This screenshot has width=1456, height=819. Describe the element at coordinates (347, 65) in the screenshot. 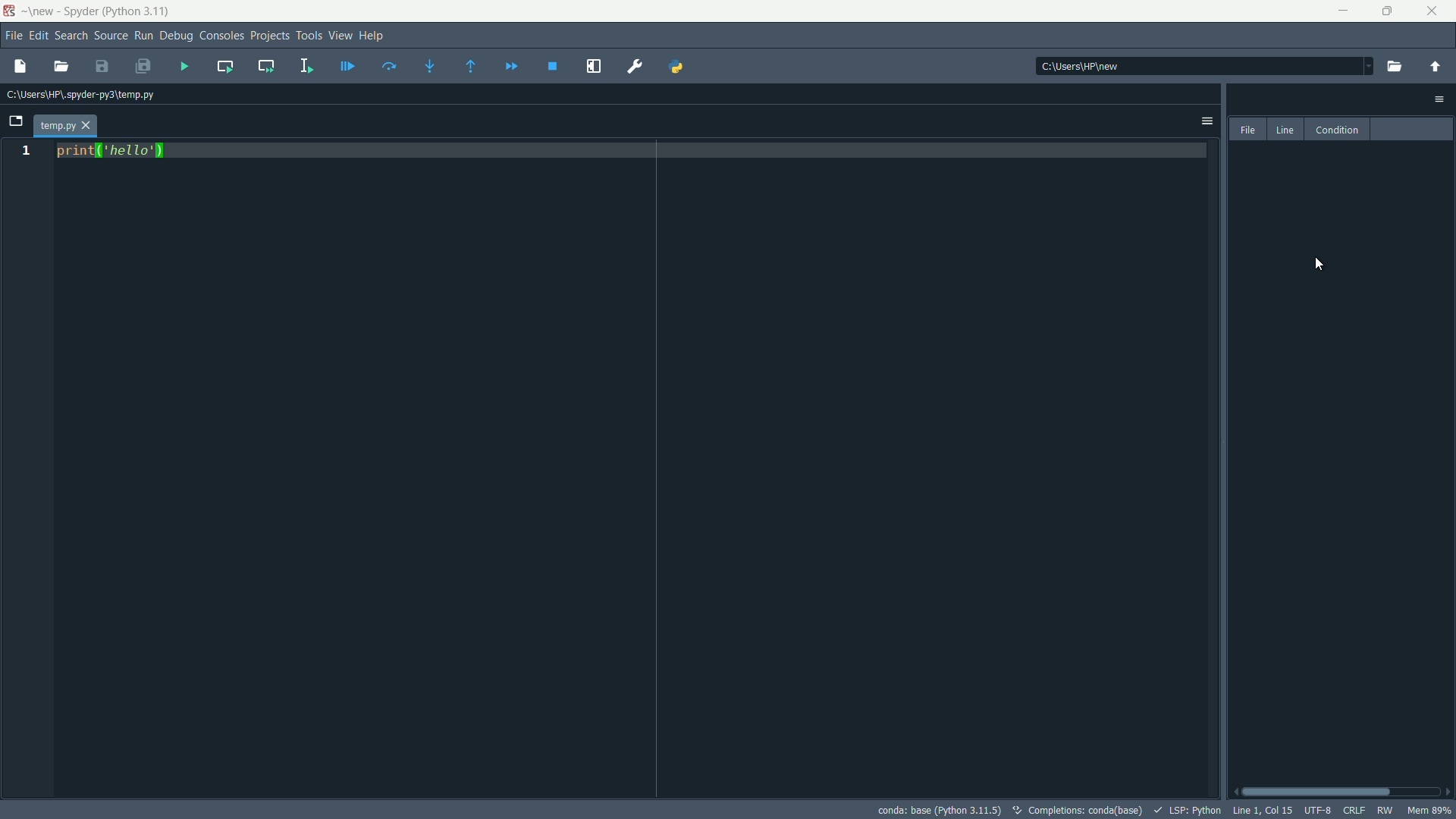

I see `debug file` at that location.